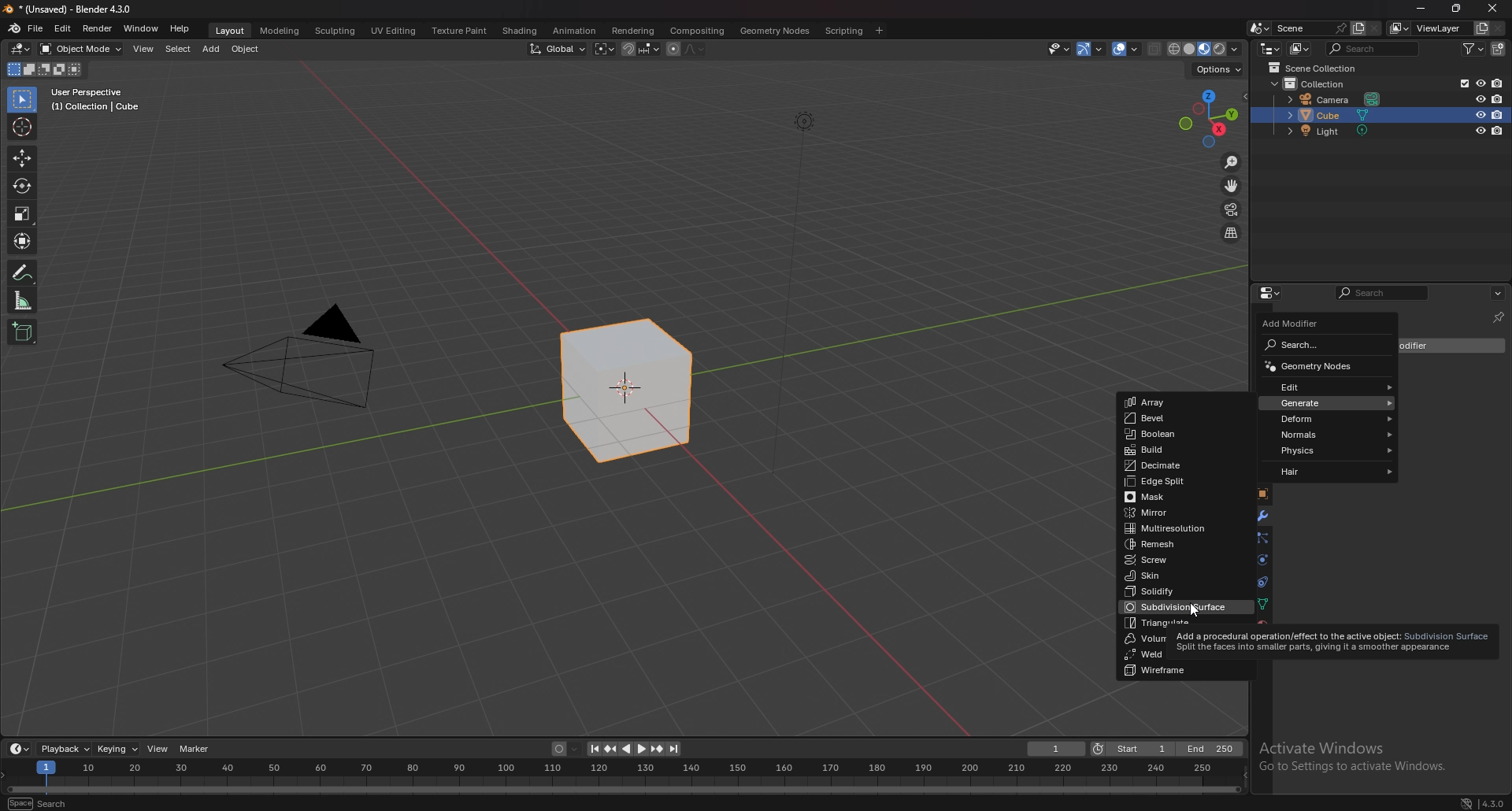 Image resolution: width=1512 pixels, height=811 pixels. I want to click on multi resolution, so click(1184, 528).